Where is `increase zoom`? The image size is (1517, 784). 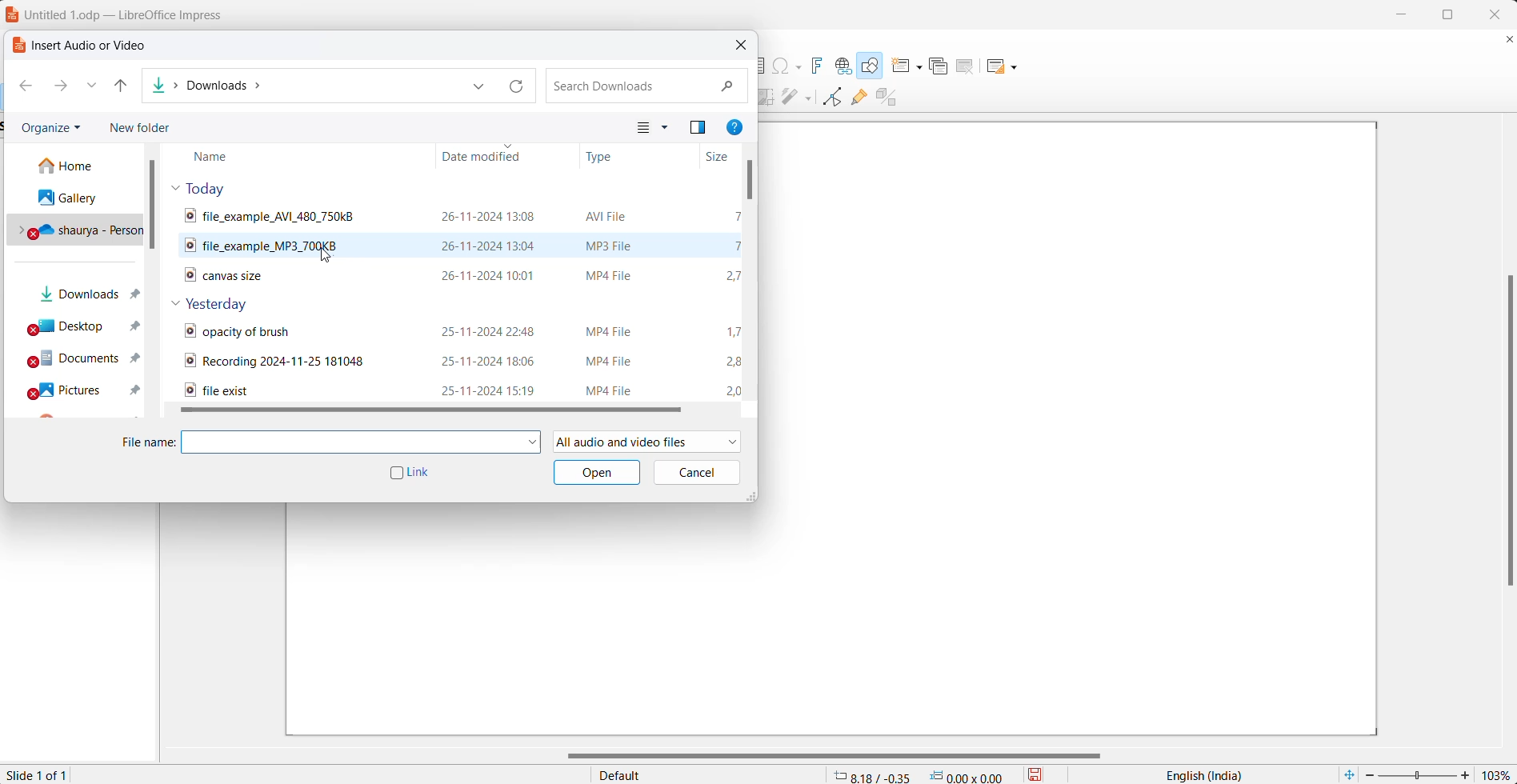
increase zoom is located at coordinates (1467, 774).